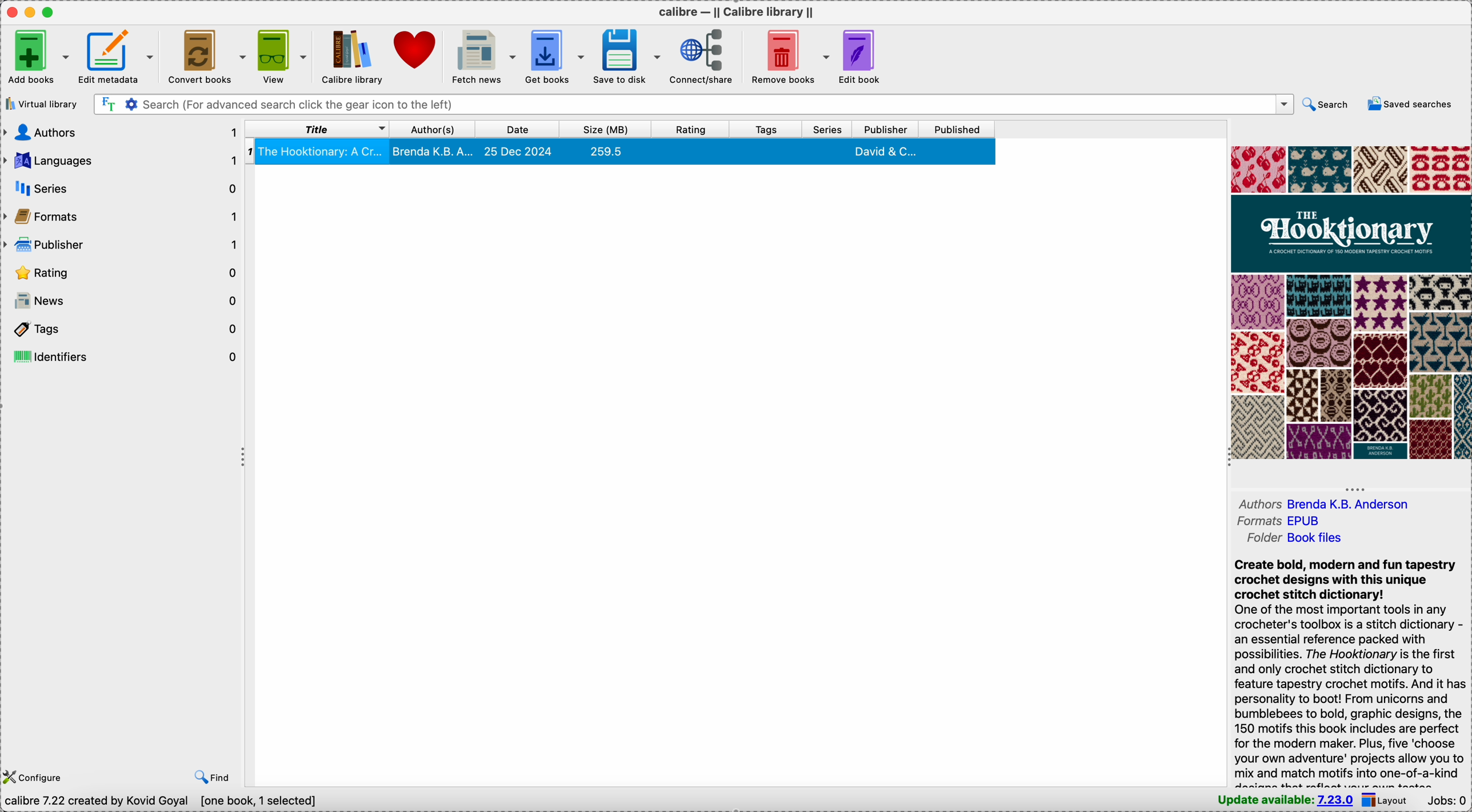 This screenshot has width=1472, height=812. What do you see at coordinates (318, 129) in the screenshot?
I see `title` at bounding box center [318, 129].